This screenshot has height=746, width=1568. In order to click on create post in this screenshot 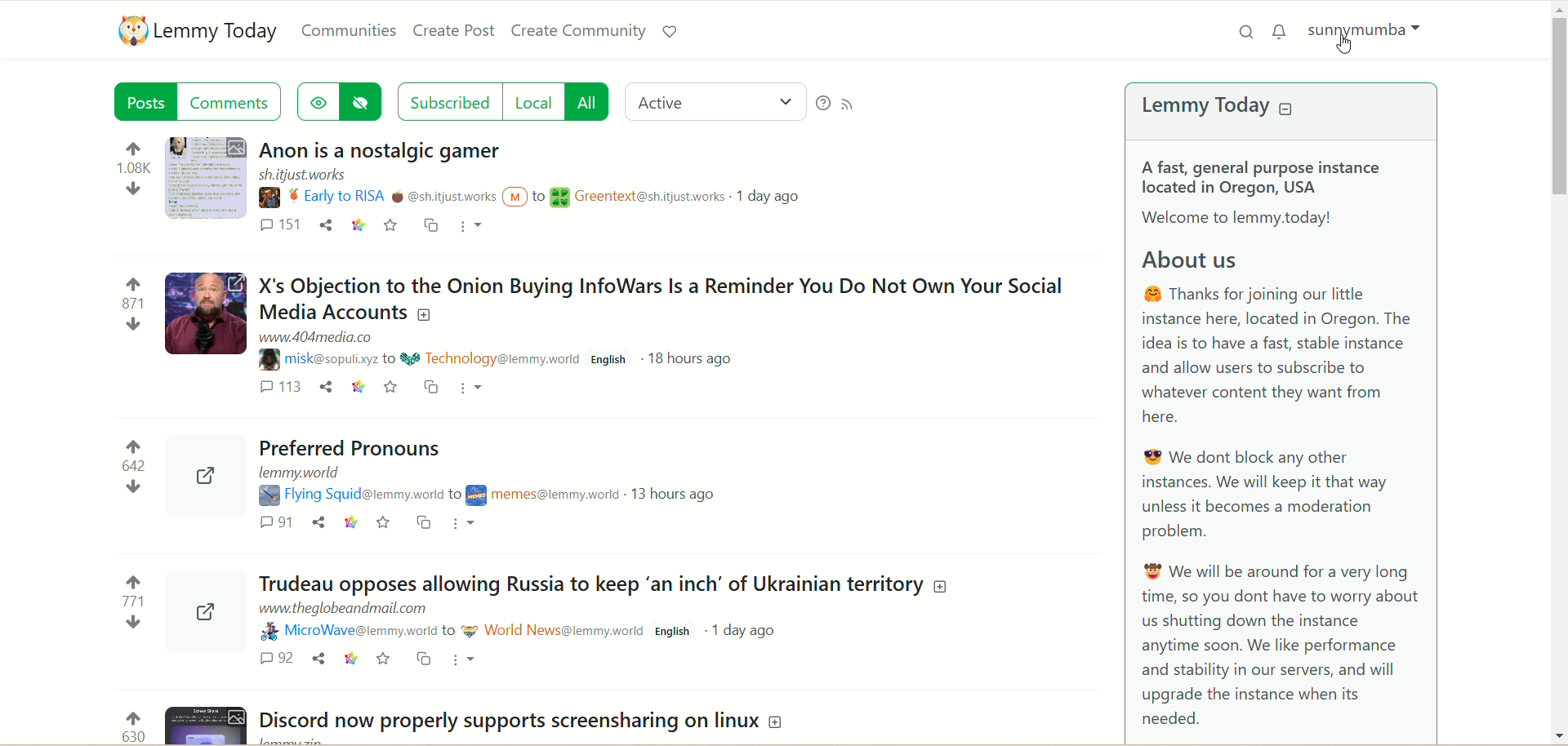, I will do `click(452, 31)`.